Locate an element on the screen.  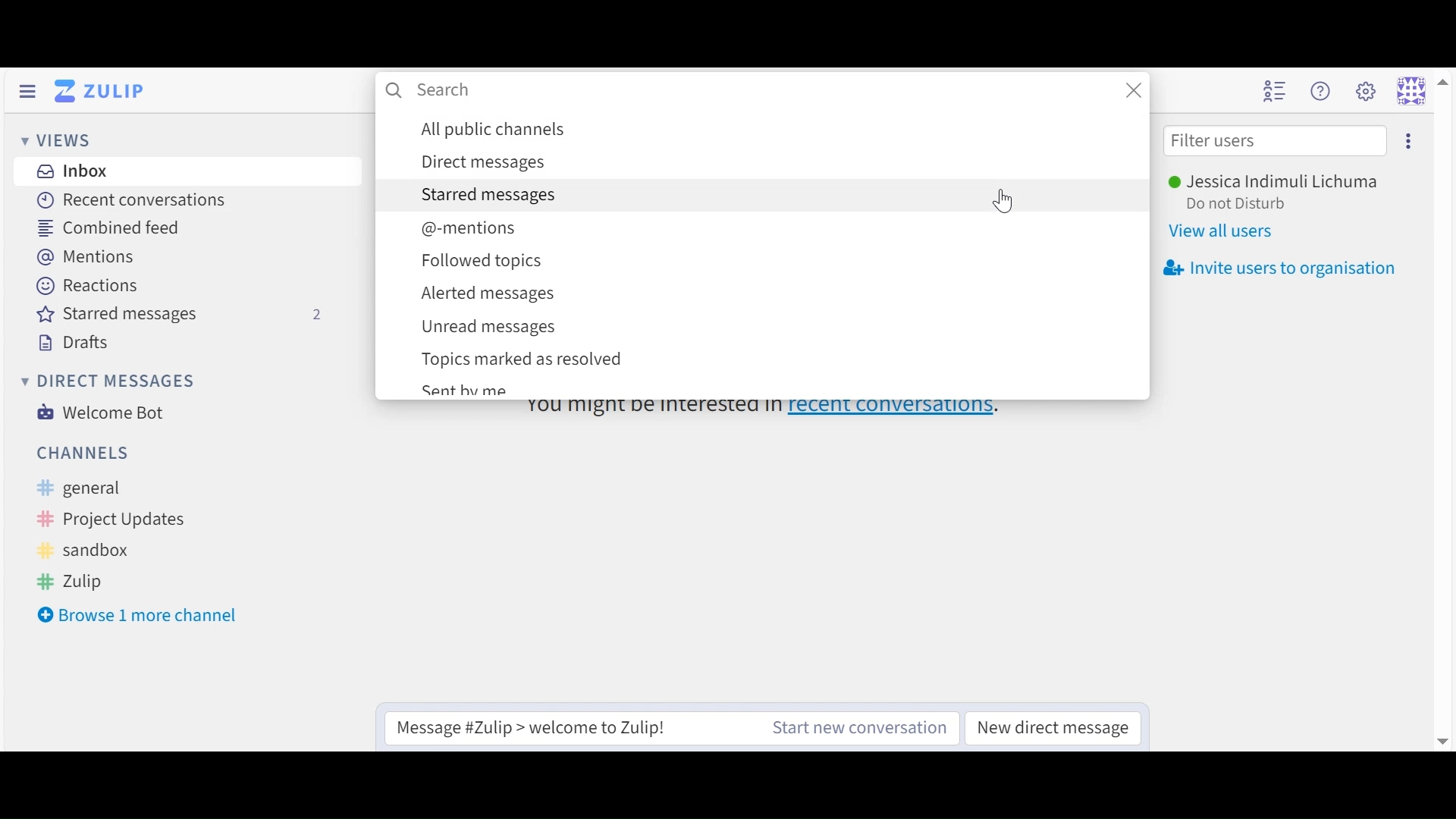
main menu is located at coordinates (1363, 91).